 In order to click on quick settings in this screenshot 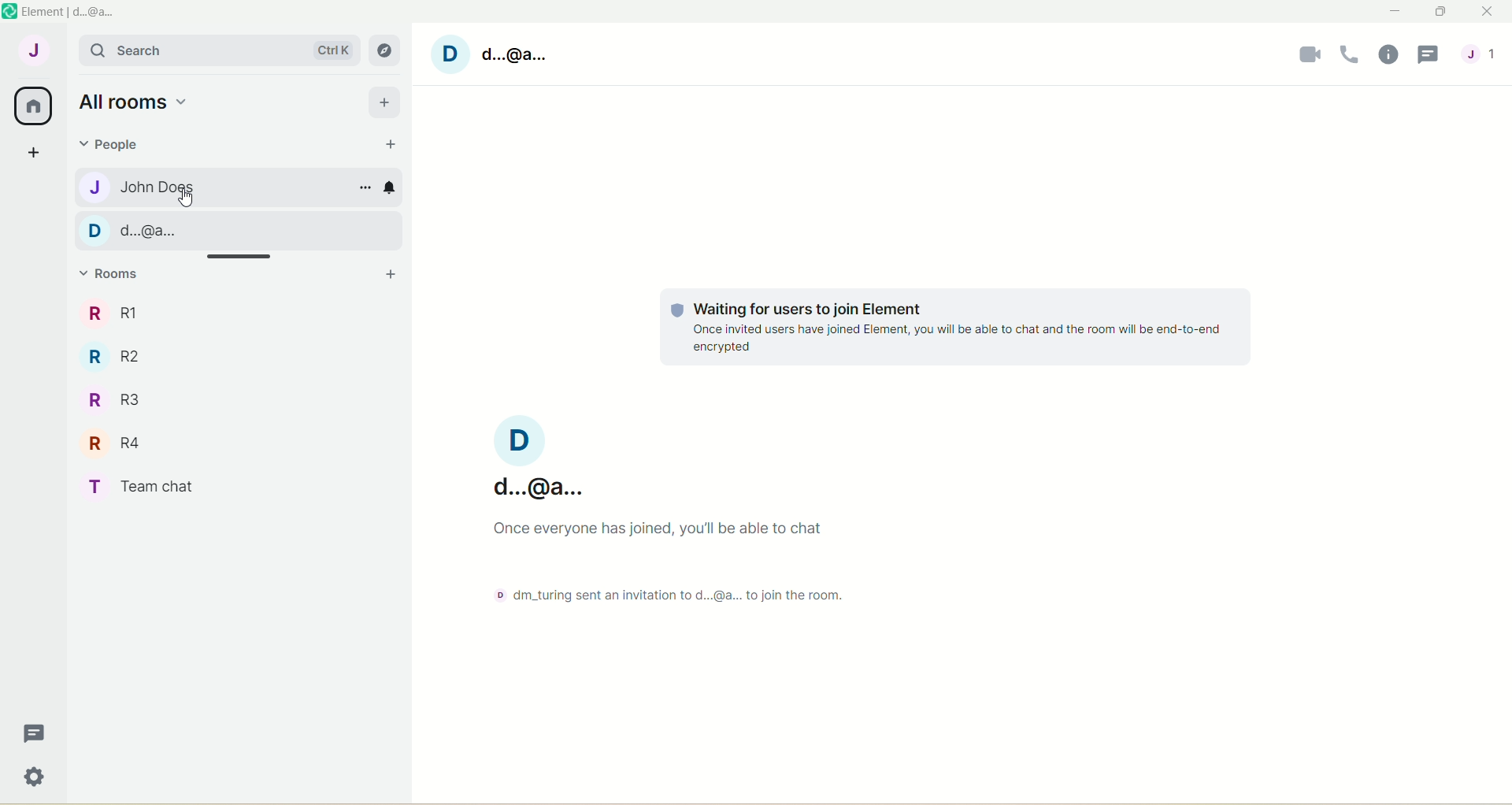, I will do `click(32, 778)`.